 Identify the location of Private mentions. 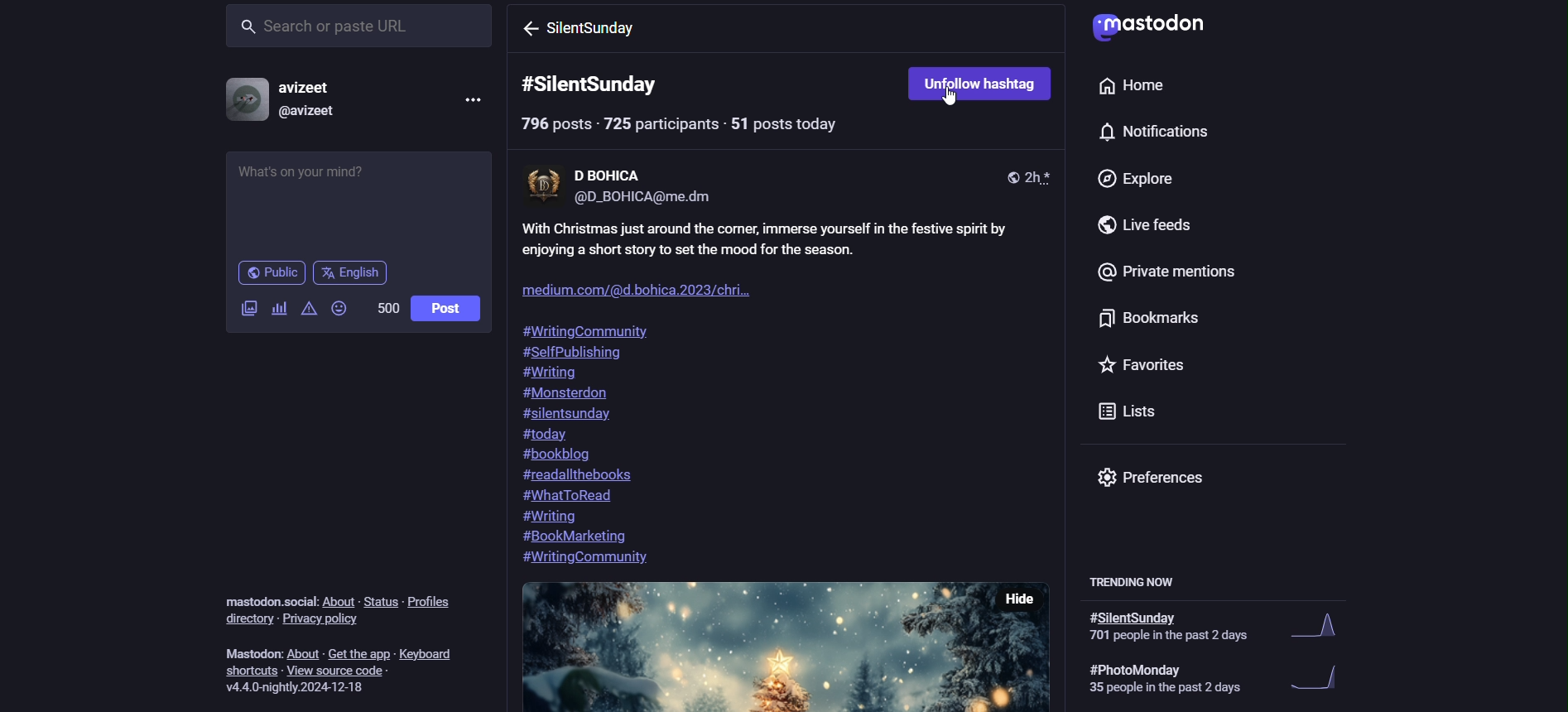
(1162, 277).